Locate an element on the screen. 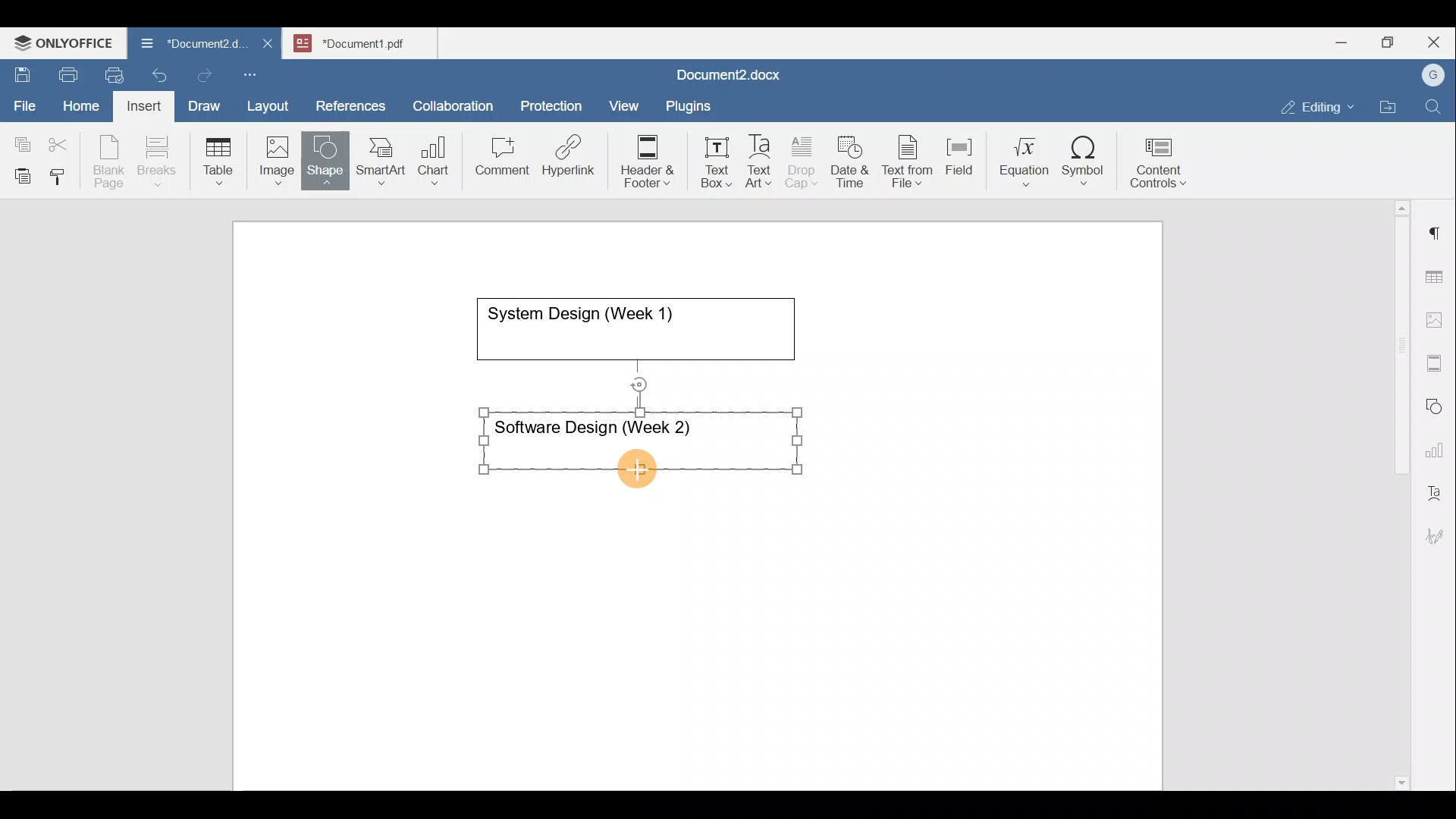 The height and width of the screenshot is (819, 1456). Headers & footers is located at coordinates (1437, 359).